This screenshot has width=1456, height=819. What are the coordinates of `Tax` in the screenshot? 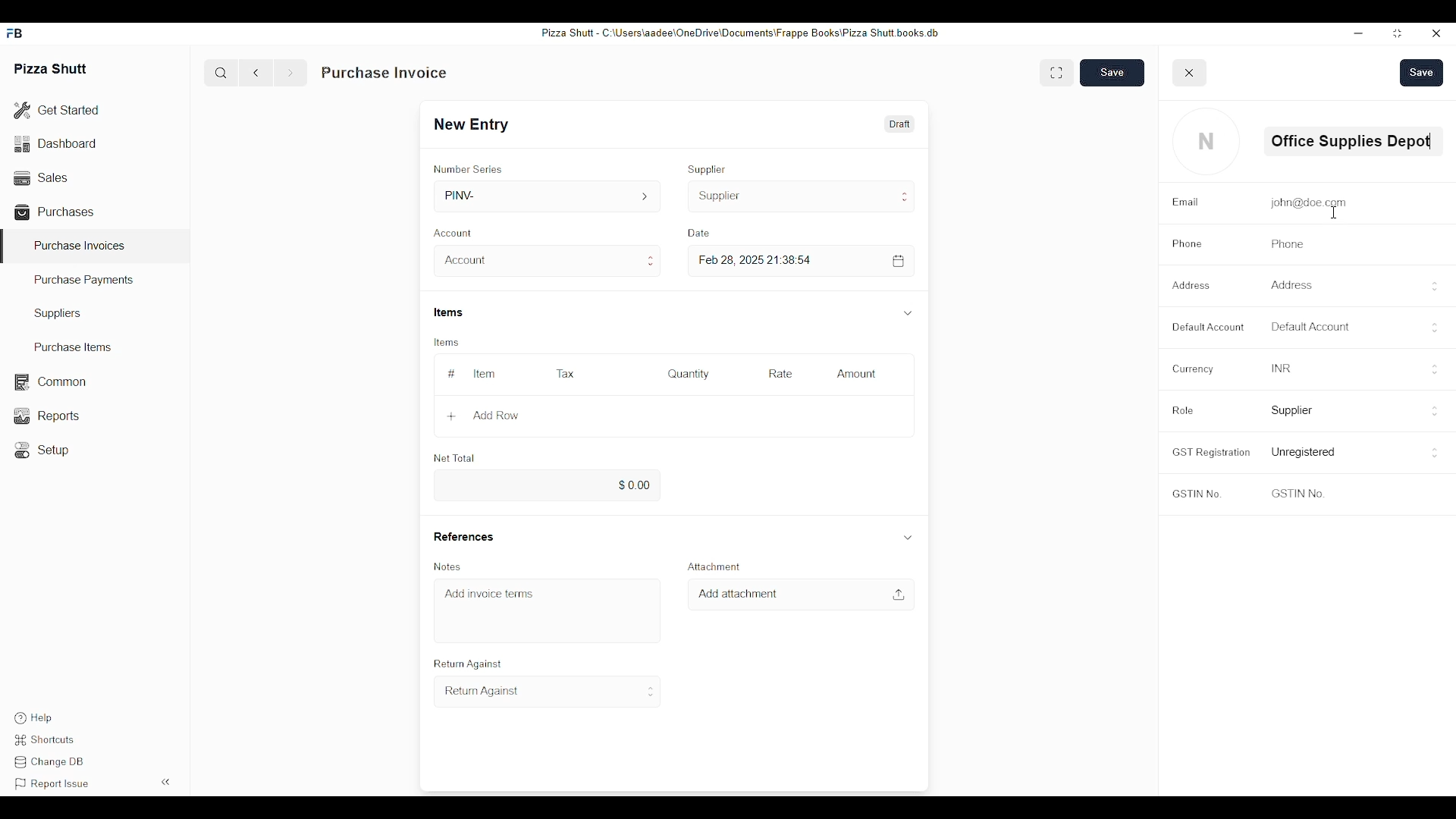 It's located at (564, 373).